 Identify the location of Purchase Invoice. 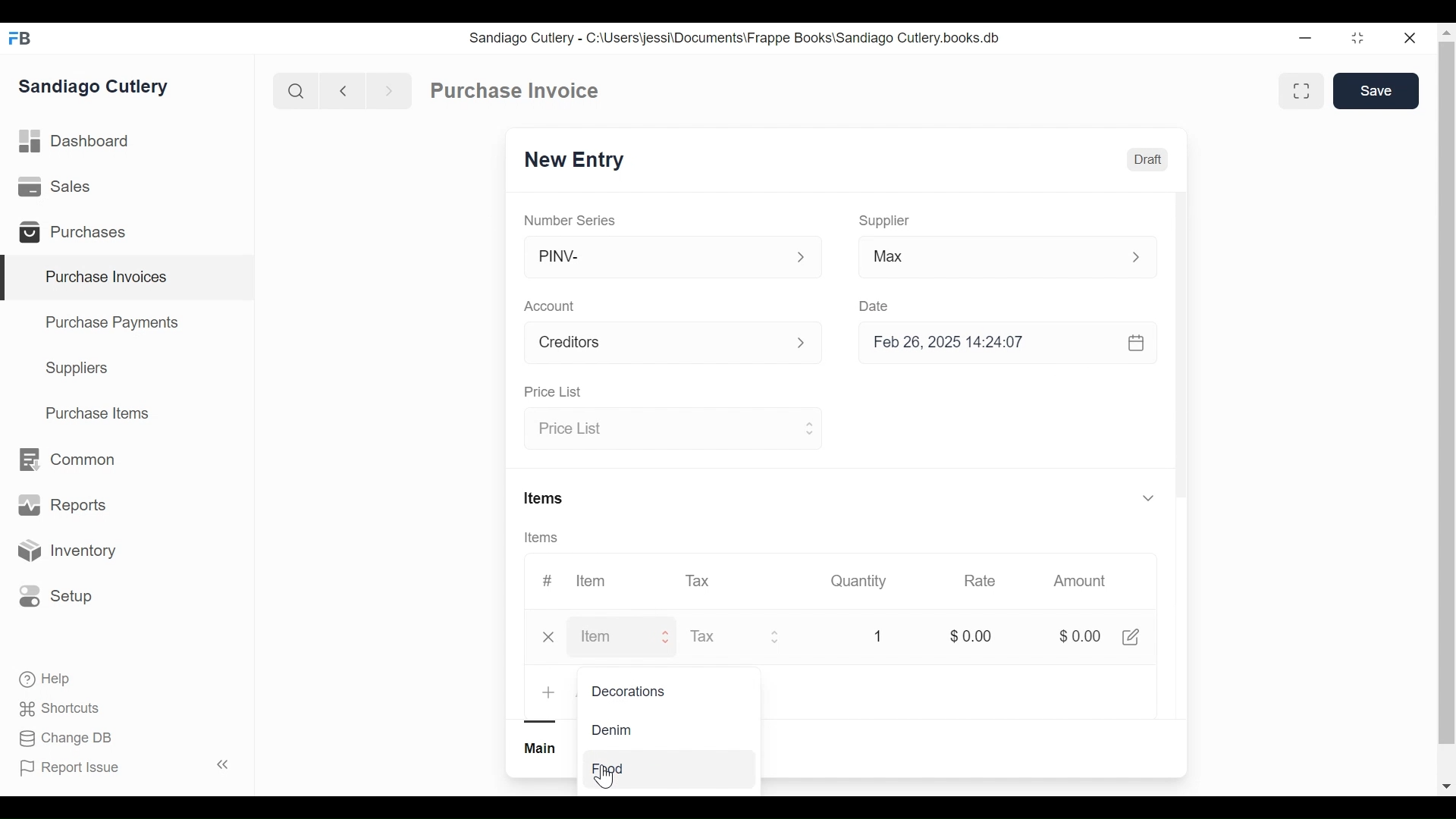
(516, 91).